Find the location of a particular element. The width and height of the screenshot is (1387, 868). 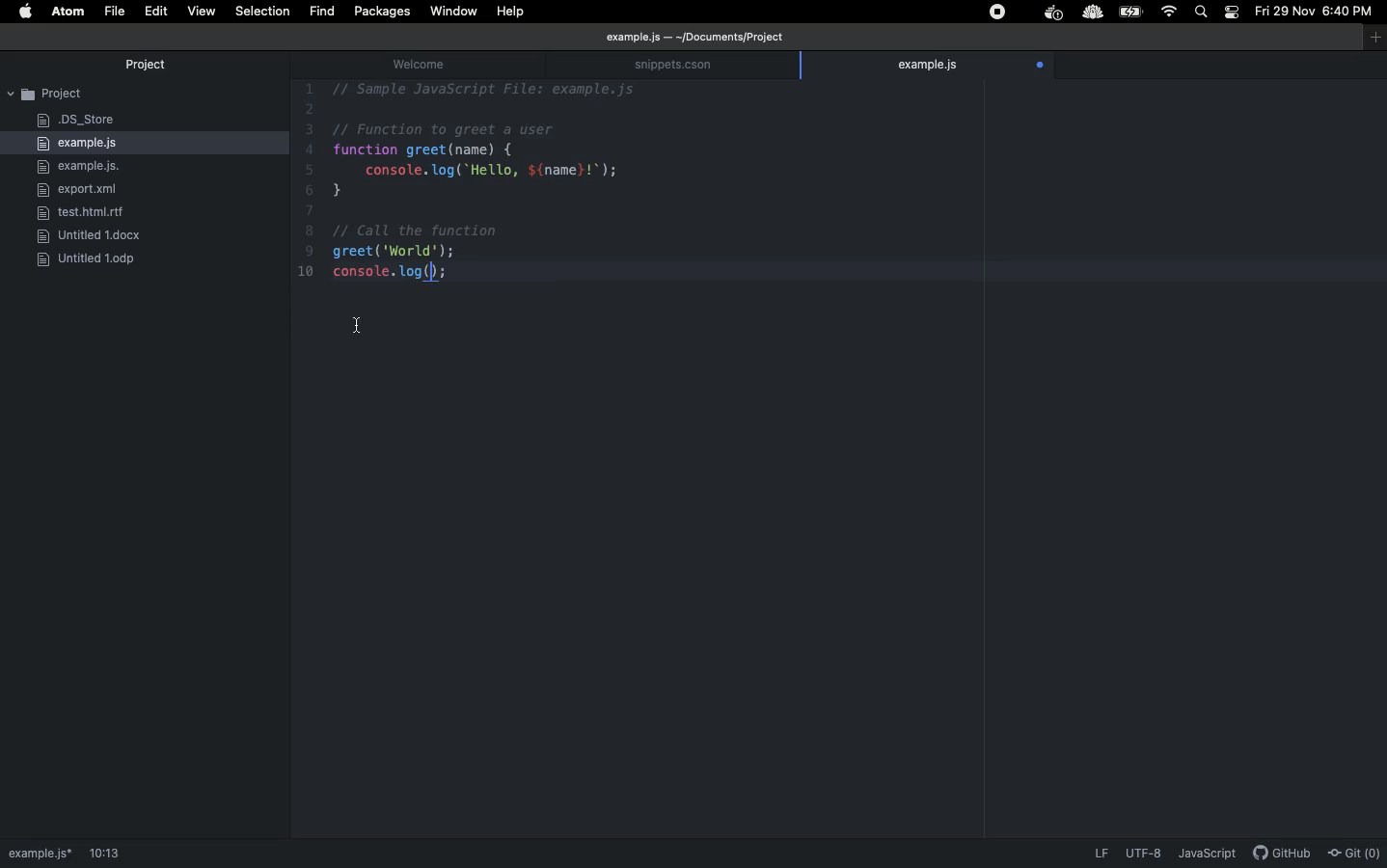

Date is located at coordinates (1285, 12).